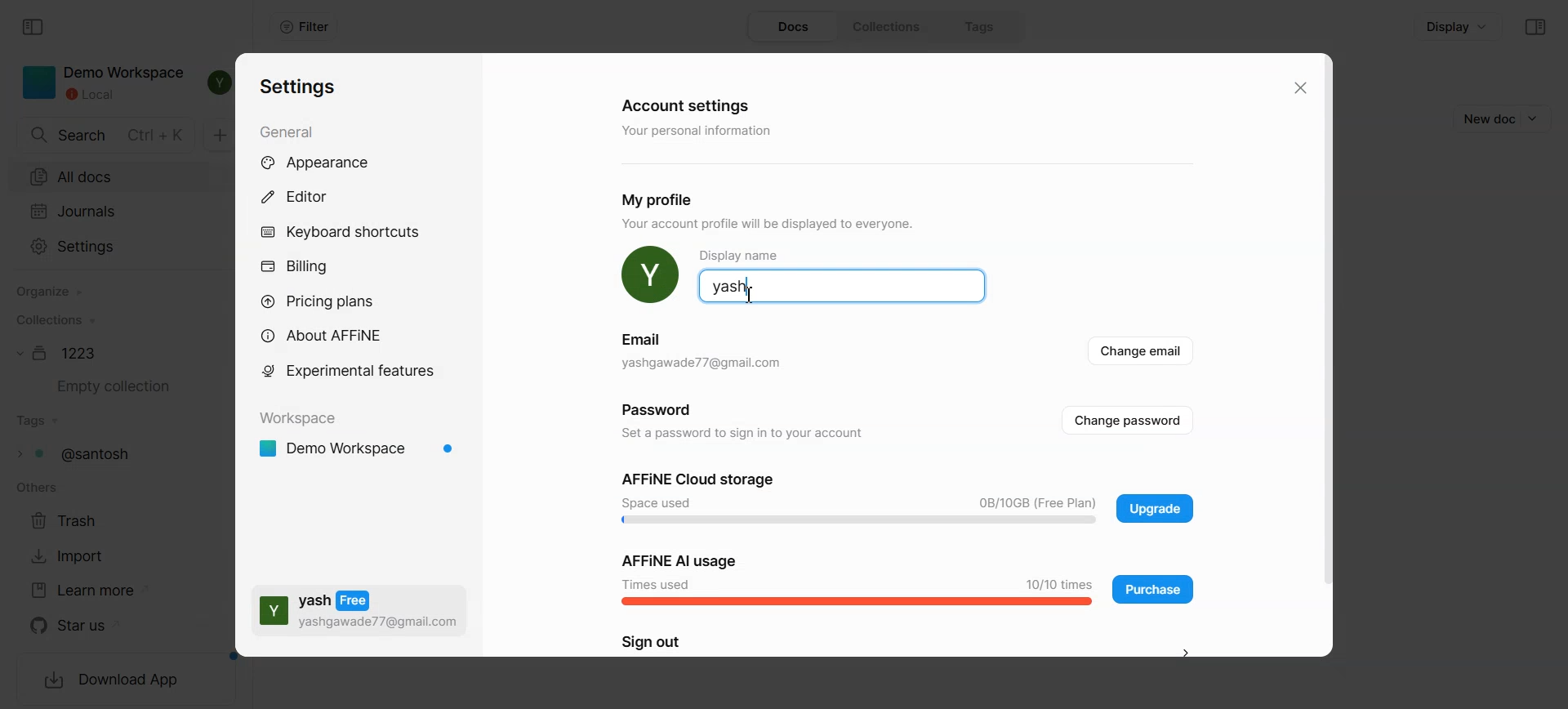  What do you see at coordinates (305, 196) in the screenshot?
I see `Editor` at bounding box center [305, 196].